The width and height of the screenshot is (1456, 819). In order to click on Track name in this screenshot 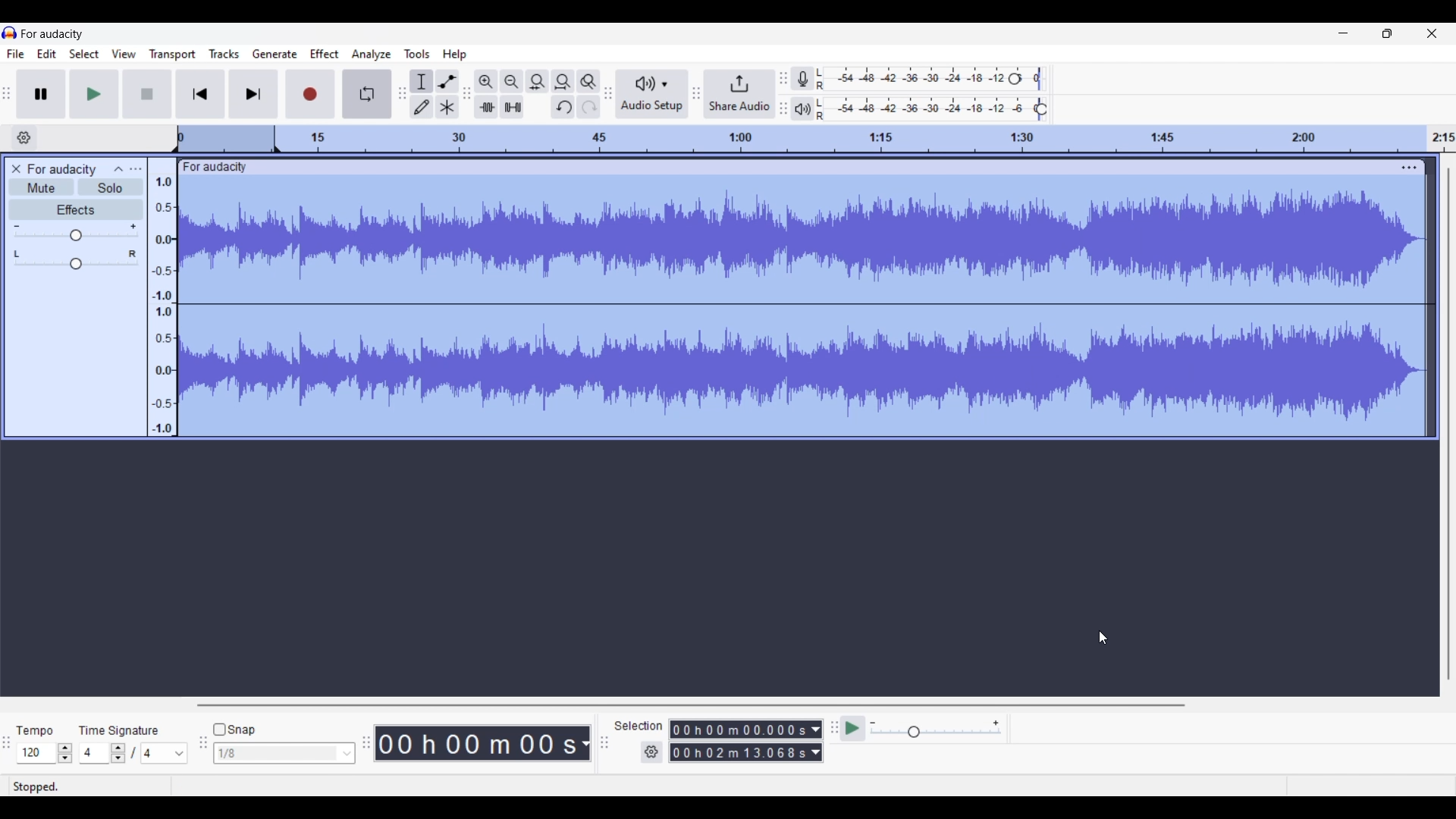, I will do `click(215, 168)`.